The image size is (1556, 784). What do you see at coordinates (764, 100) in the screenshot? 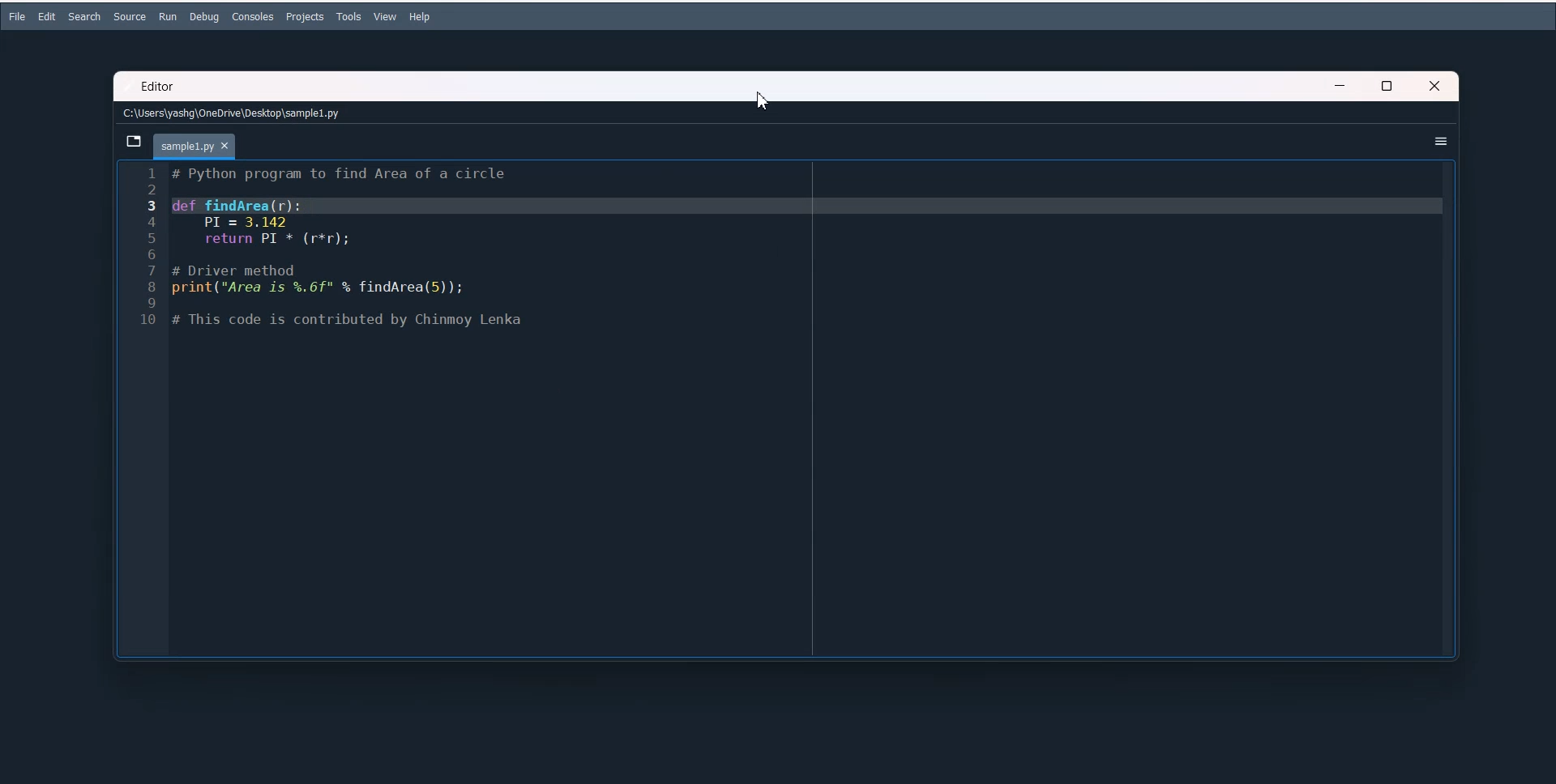
I see `Cursor` at bounding box center [764, 100].